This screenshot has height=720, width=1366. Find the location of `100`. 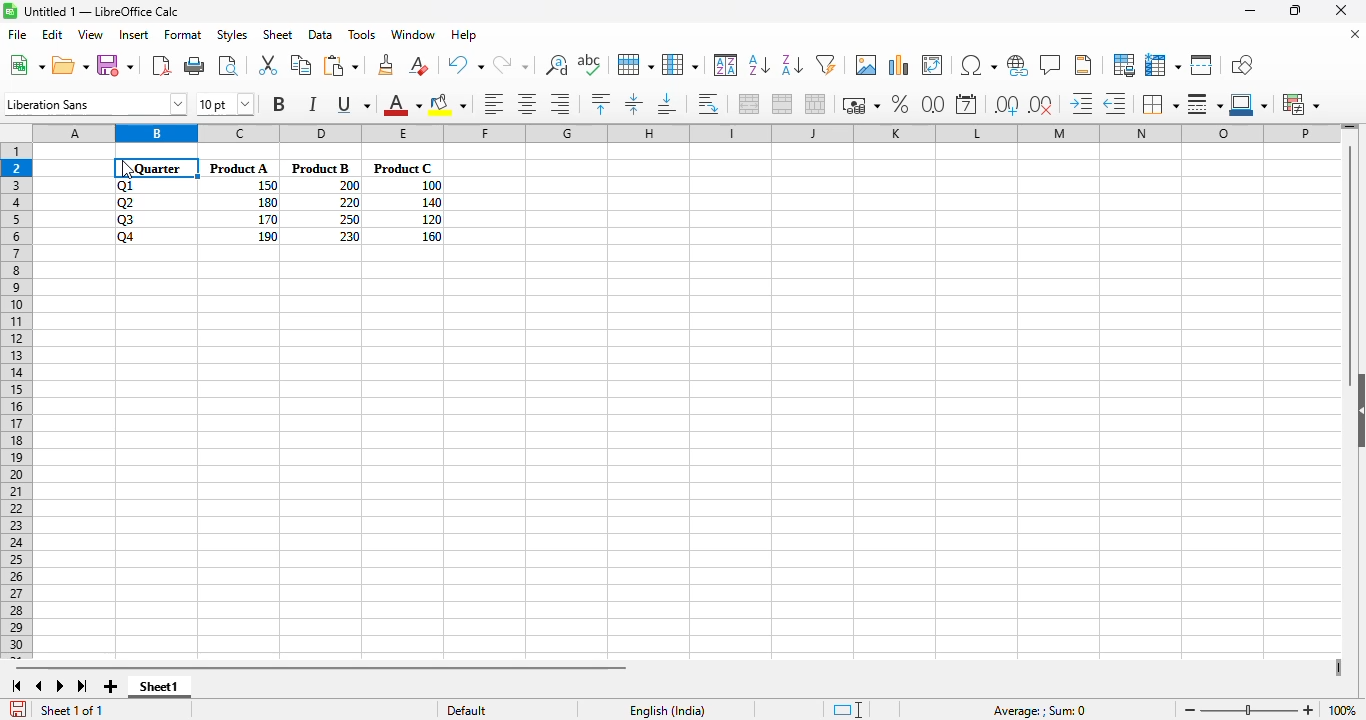

100 is located at coordinates (429, 186).